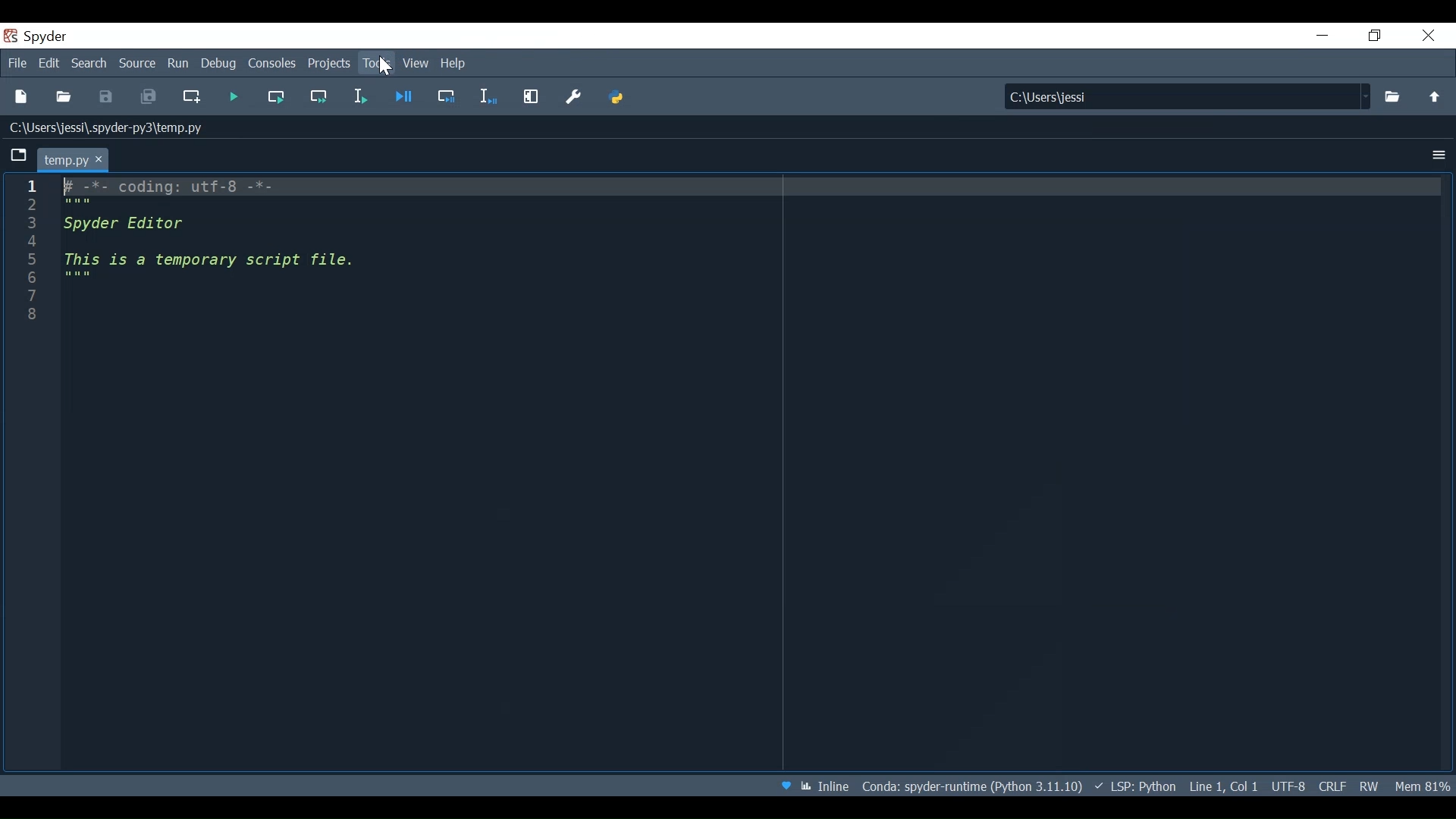 The image size is (1456, 819). Describe the element at coordinates (756, 475) in the screenshot. I see `# -*- coding: utf-8 -*- """ Spyder Editor  This is a temporary script file. """` at that location.